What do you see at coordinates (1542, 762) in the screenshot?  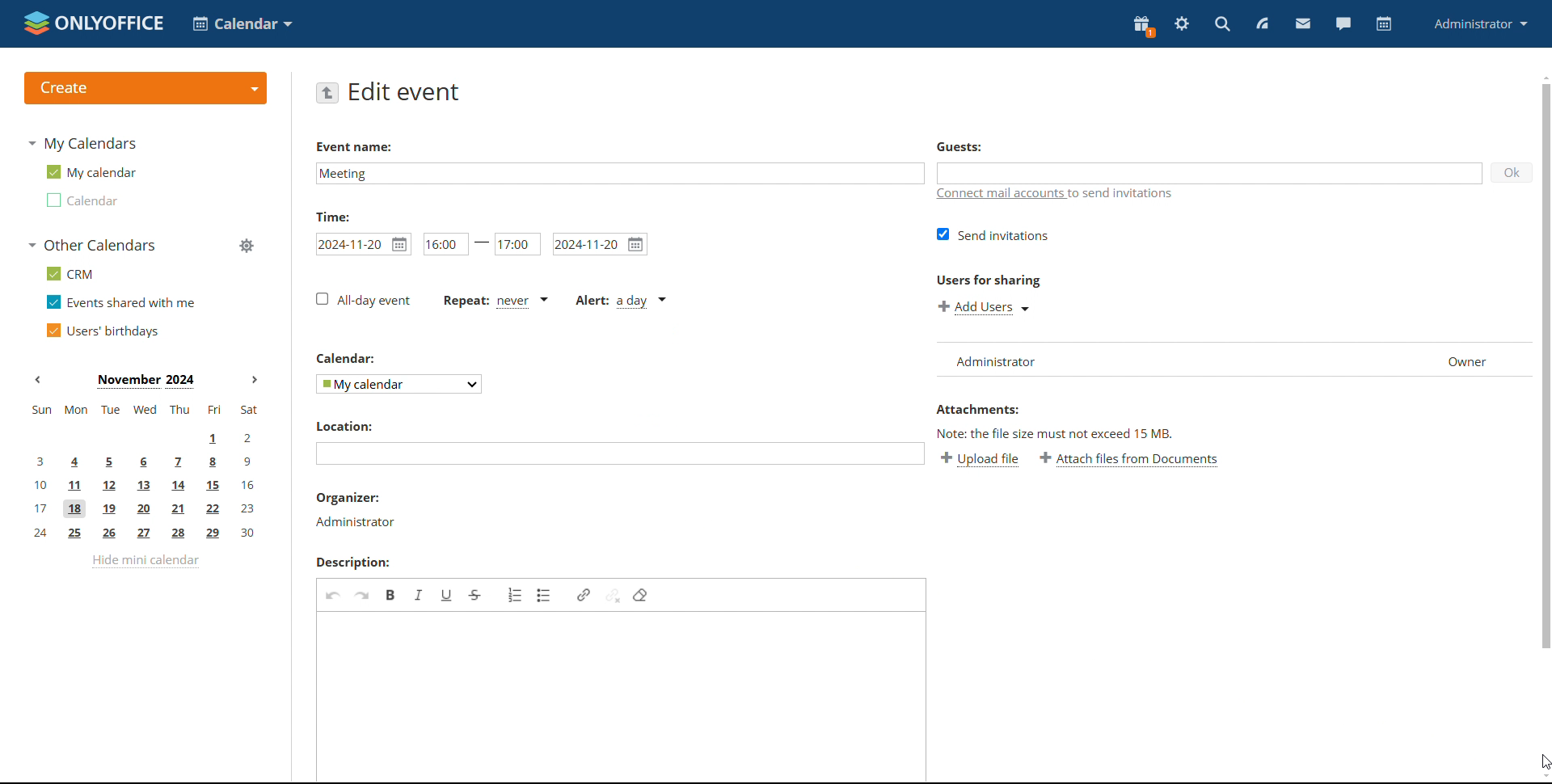 I see `cursor` at bounding box center [1542, 762].